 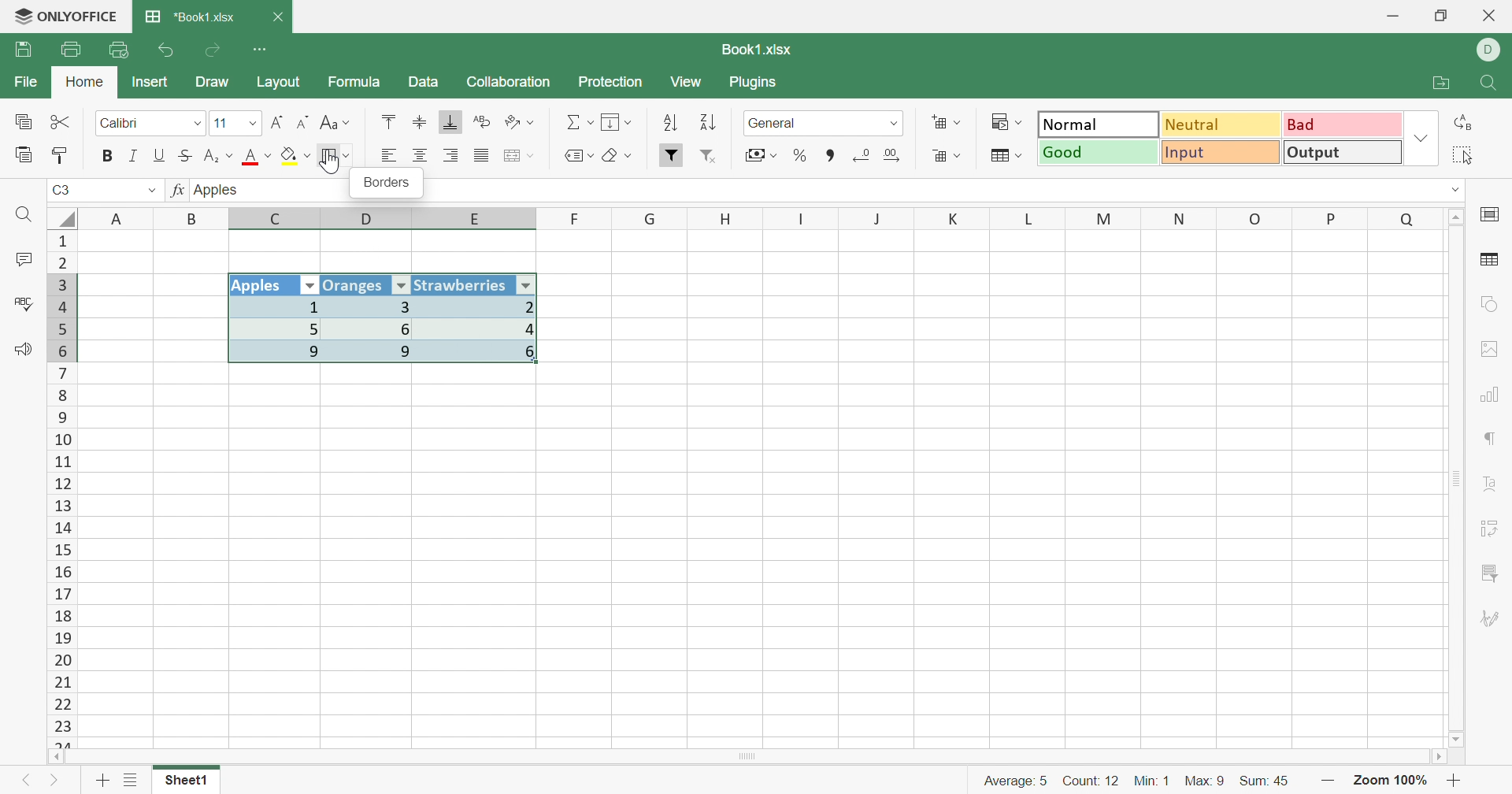 What do you see at coordinates (62, 317) in the screenshot?
I see `Row numbers 3, 4, 5, 6 and 7 highlighted` at bounding box center [62, 317].